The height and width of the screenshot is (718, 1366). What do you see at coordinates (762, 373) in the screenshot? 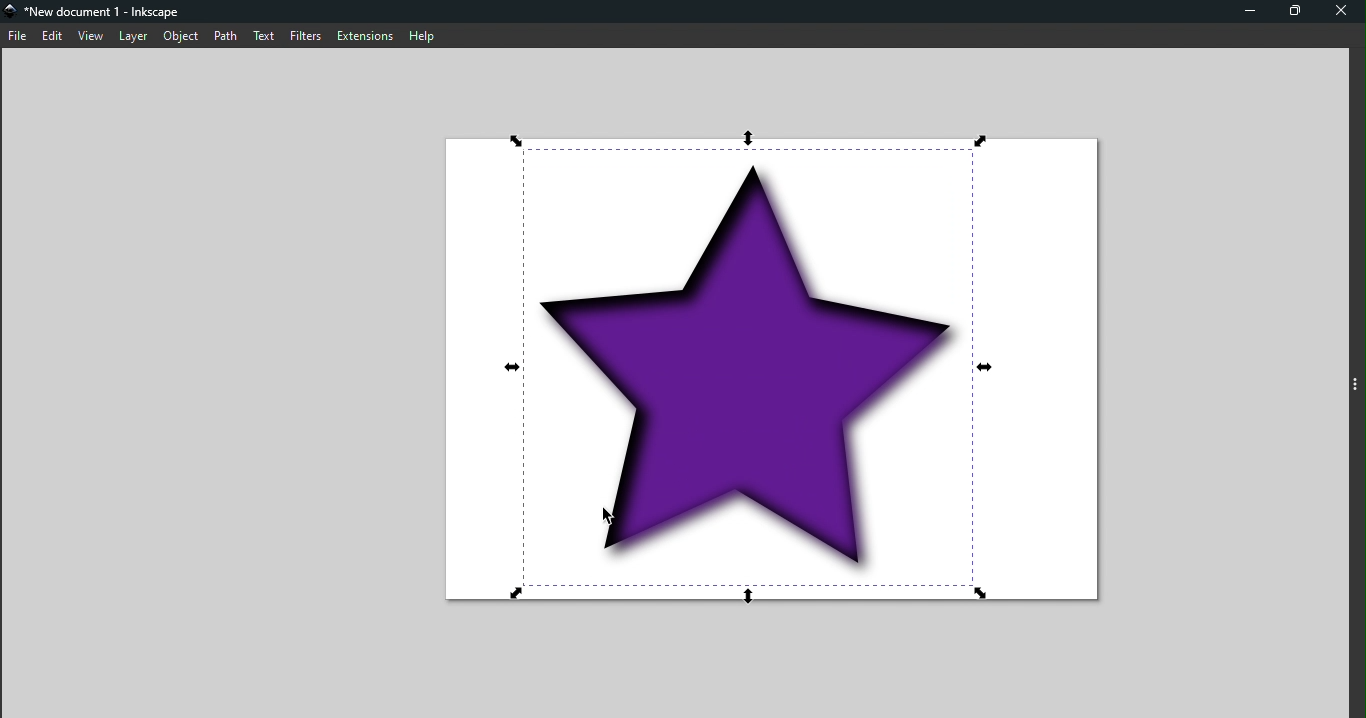
I see `Canvas` at bounding box center [762, 373].